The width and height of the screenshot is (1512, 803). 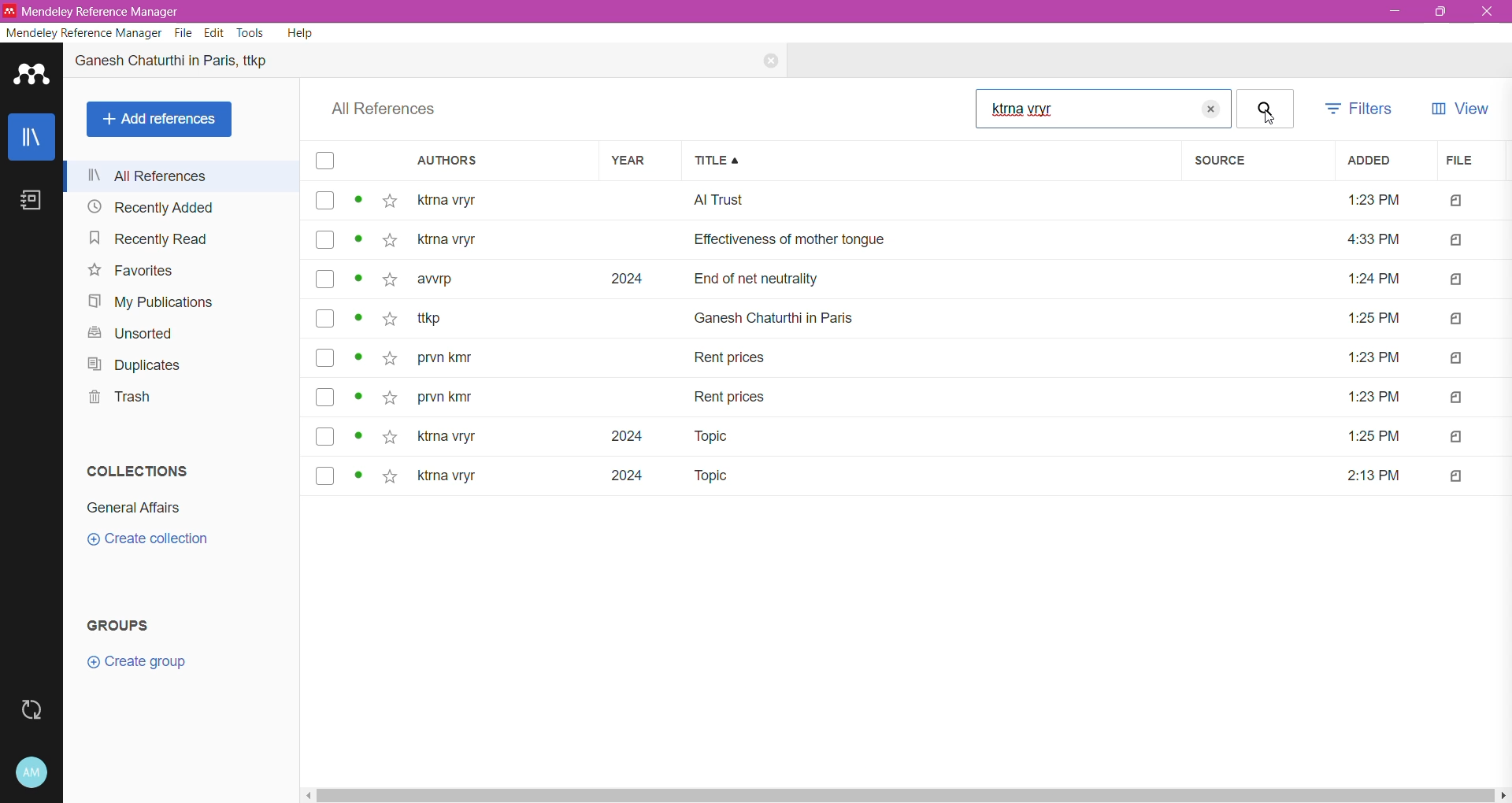 I want to click on view status, so click(x=359, y=200).